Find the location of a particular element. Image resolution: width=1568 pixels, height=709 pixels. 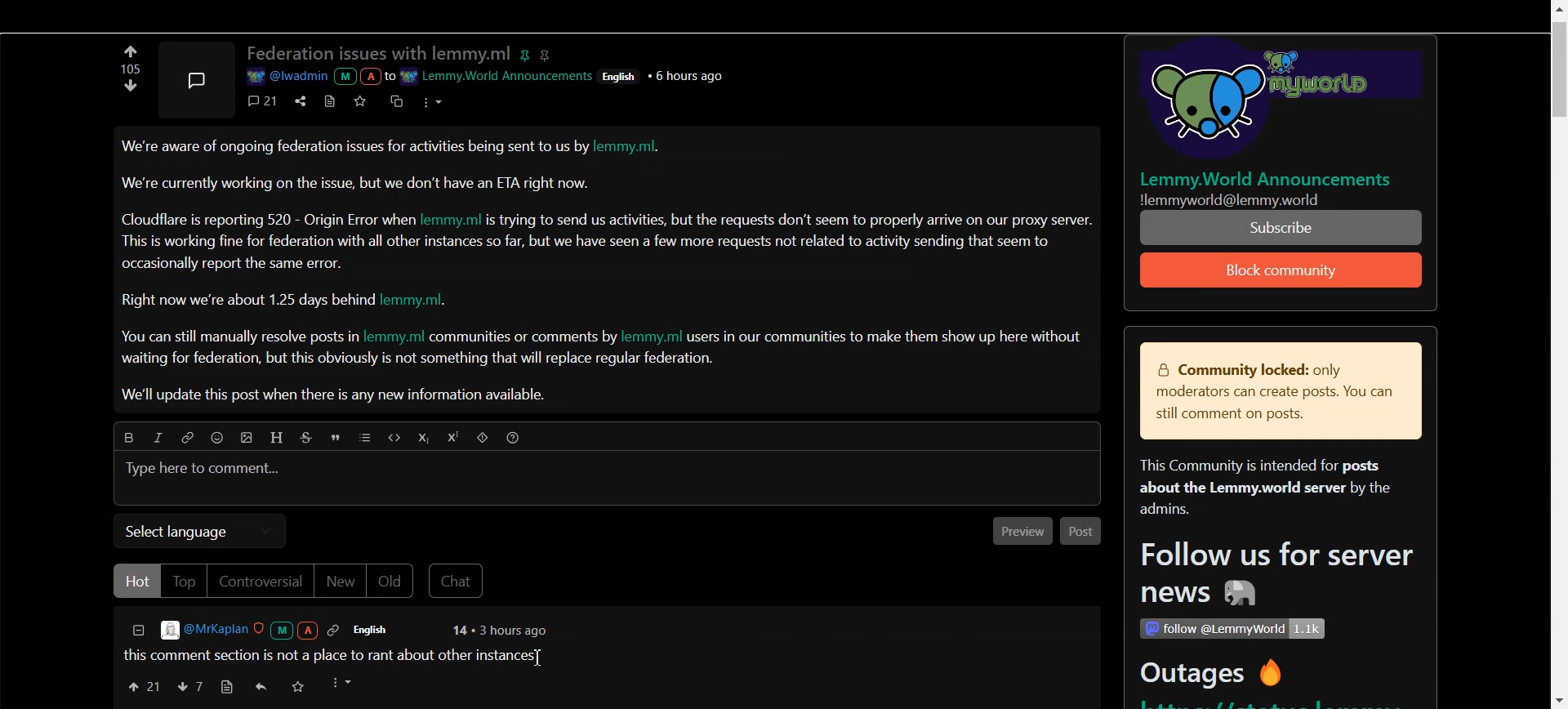

This is working fine for federation with all other instances so far, but we have seen a few more requests not related to activity sending that seem to
occasionally report the same error. is located at coordinates (587, 252).